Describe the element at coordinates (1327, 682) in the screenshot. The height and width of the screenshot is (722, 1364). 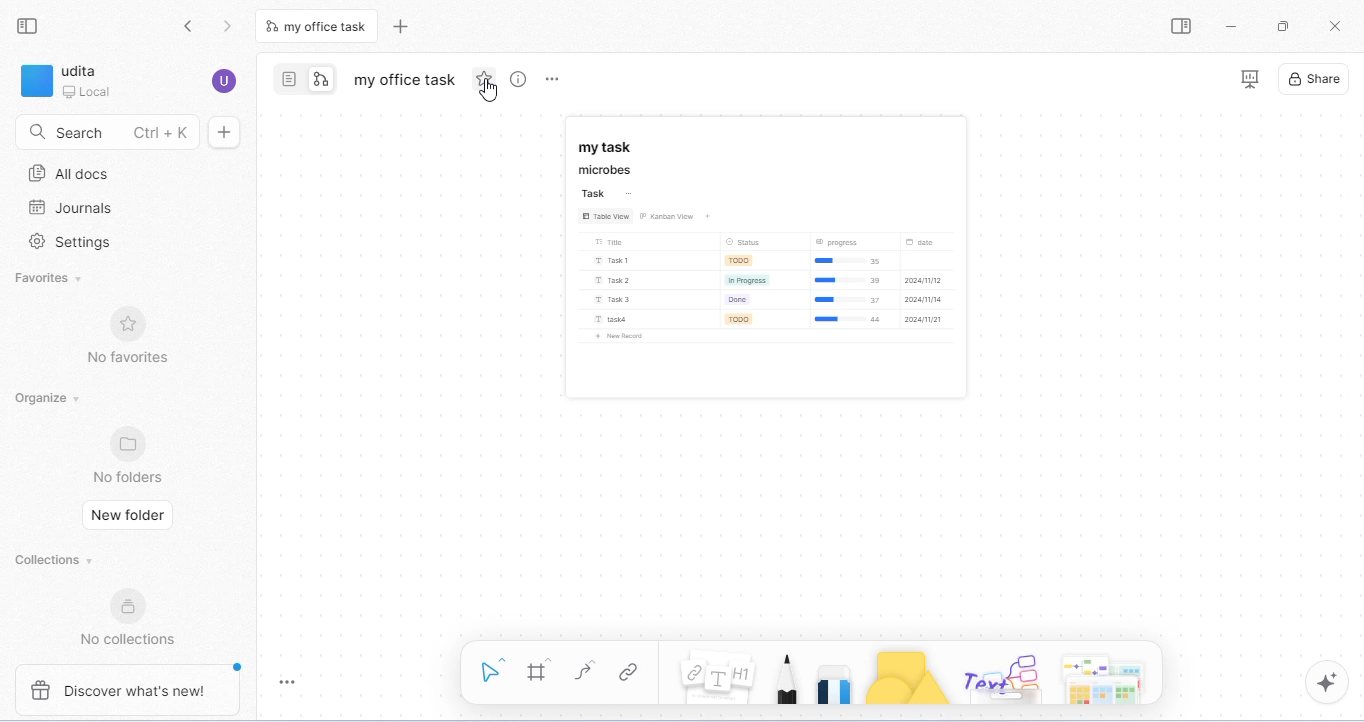
I see `ai assistant` at that location.